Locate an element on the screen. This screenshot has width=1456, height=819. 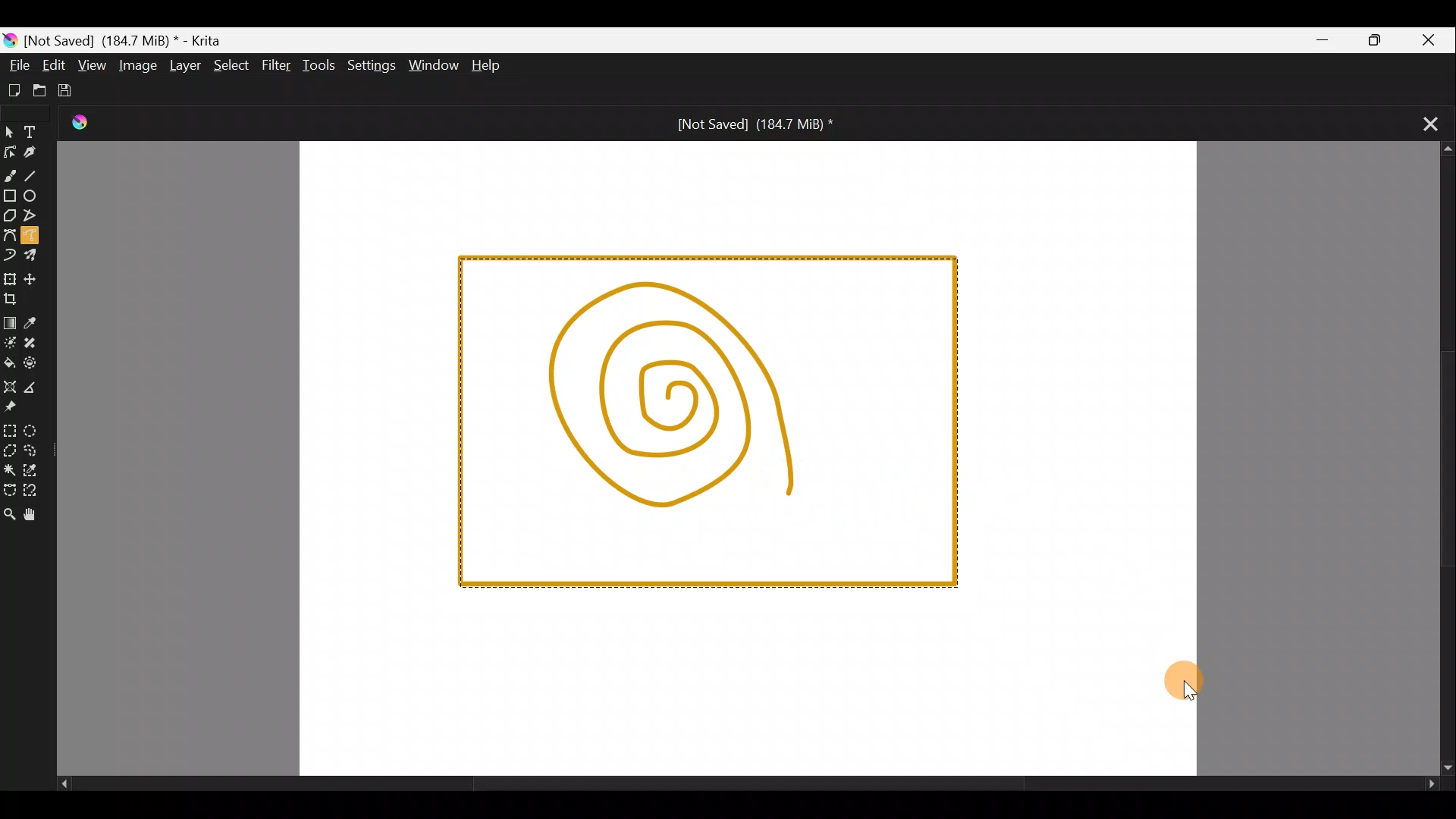
Open existing document is located at coordinates (40, 90).